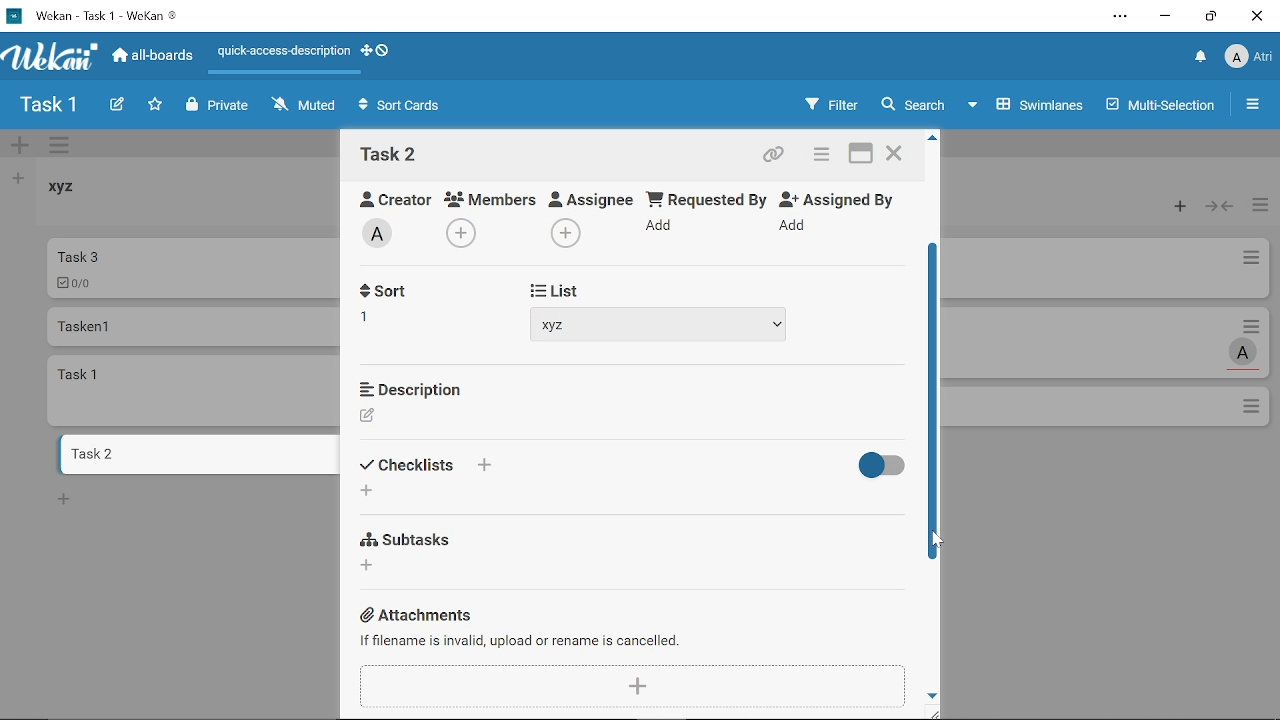  I want to click on Creator, so click(388, 196).